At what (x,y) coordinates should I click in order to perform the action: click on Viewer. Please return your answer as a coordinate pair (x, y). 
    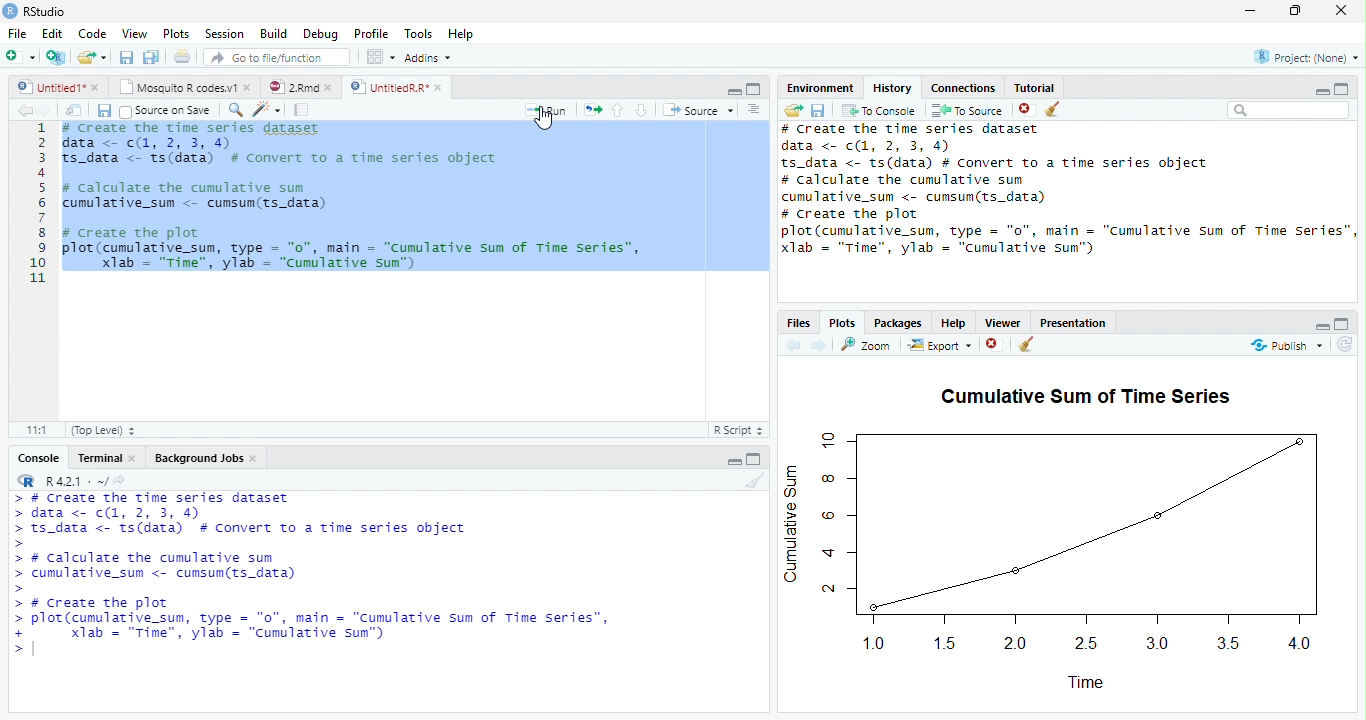
    Looking at the image, I should click on (1001, 325).